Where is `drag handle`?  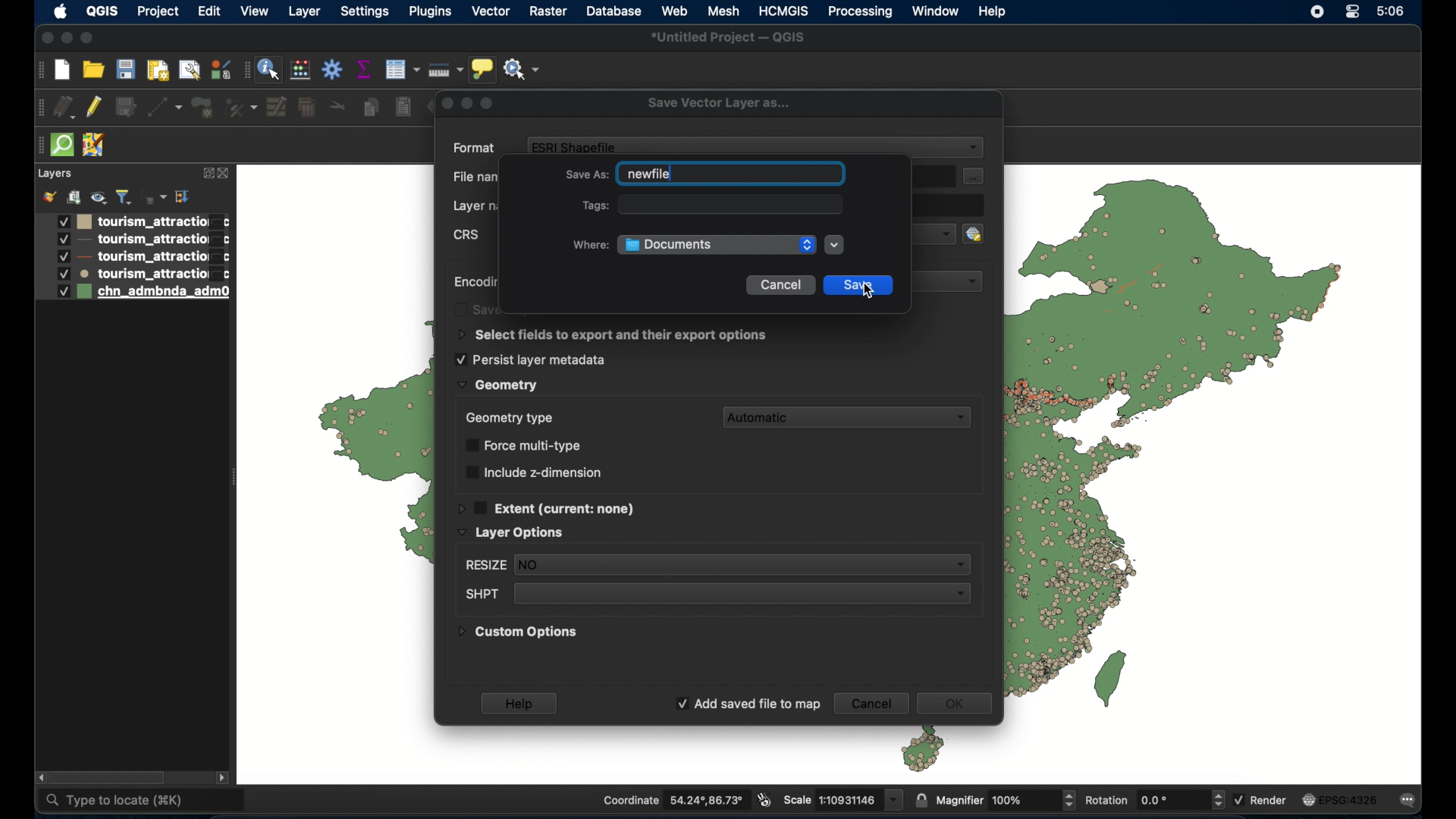
drag handle is located at coordinates (245, 70).